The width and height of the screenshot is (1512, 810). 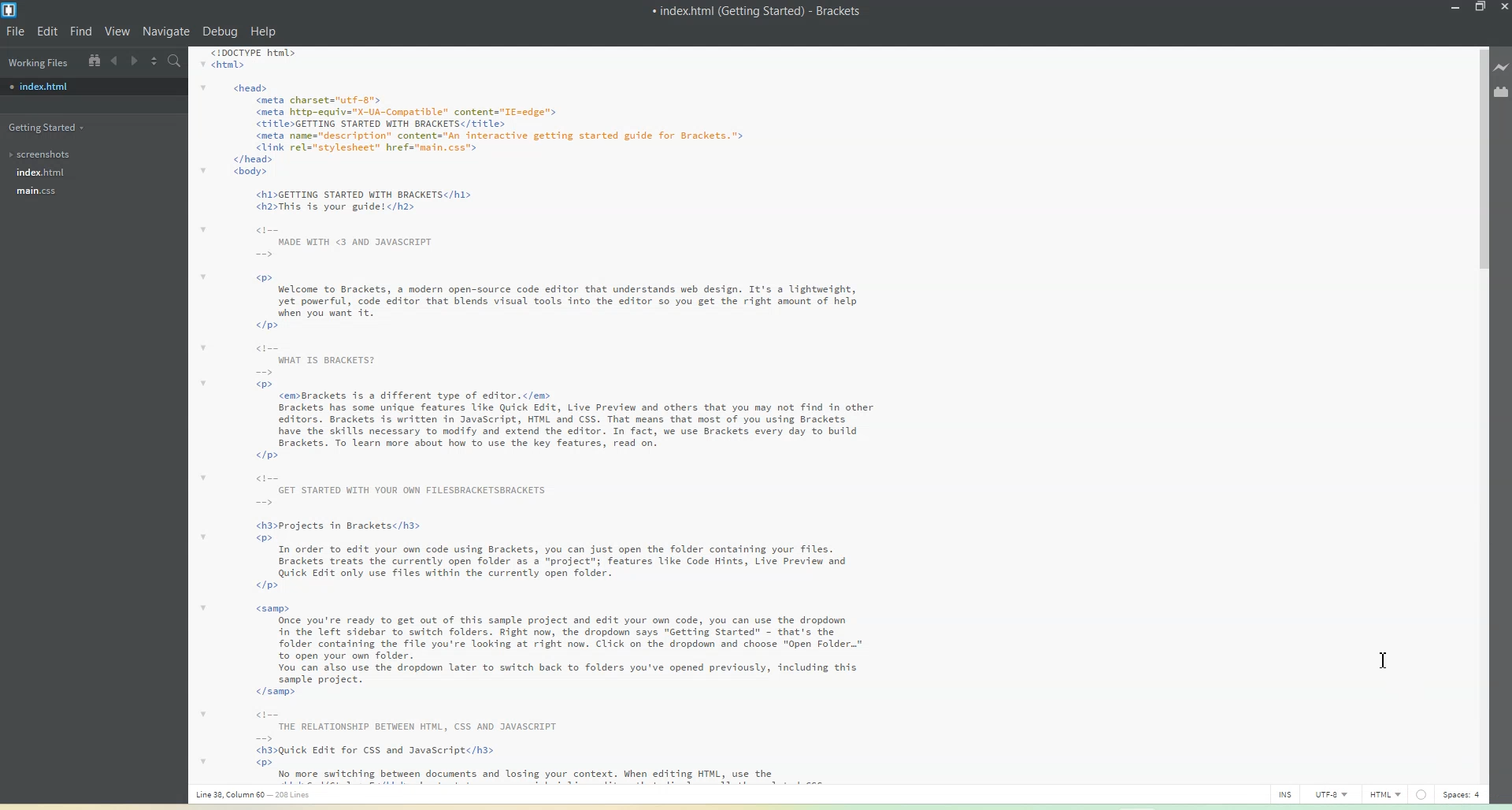 I want to click on Navigate Backward, so click(x=115, y=61).